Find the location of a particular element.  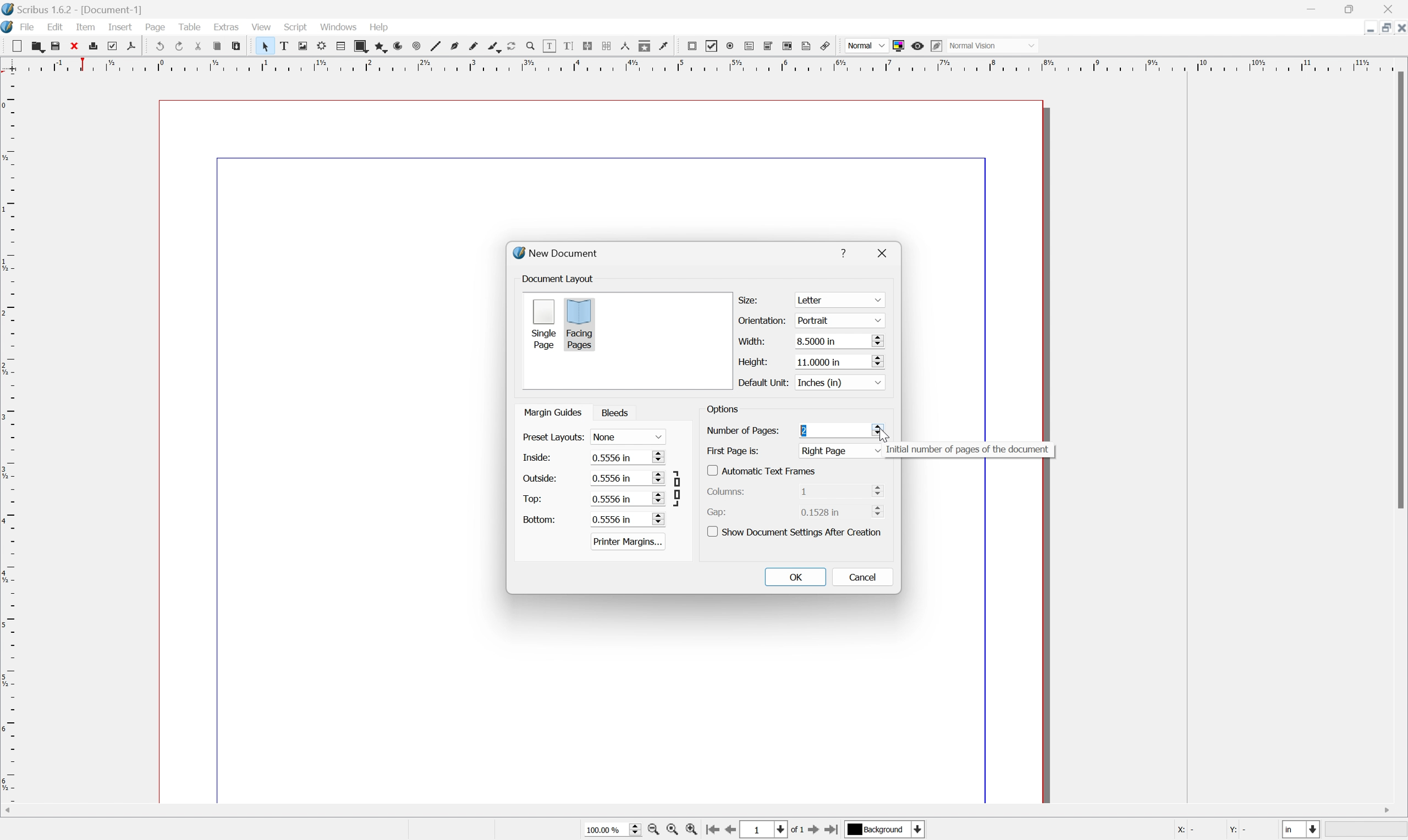

Print is located at coordinates (97, 46).